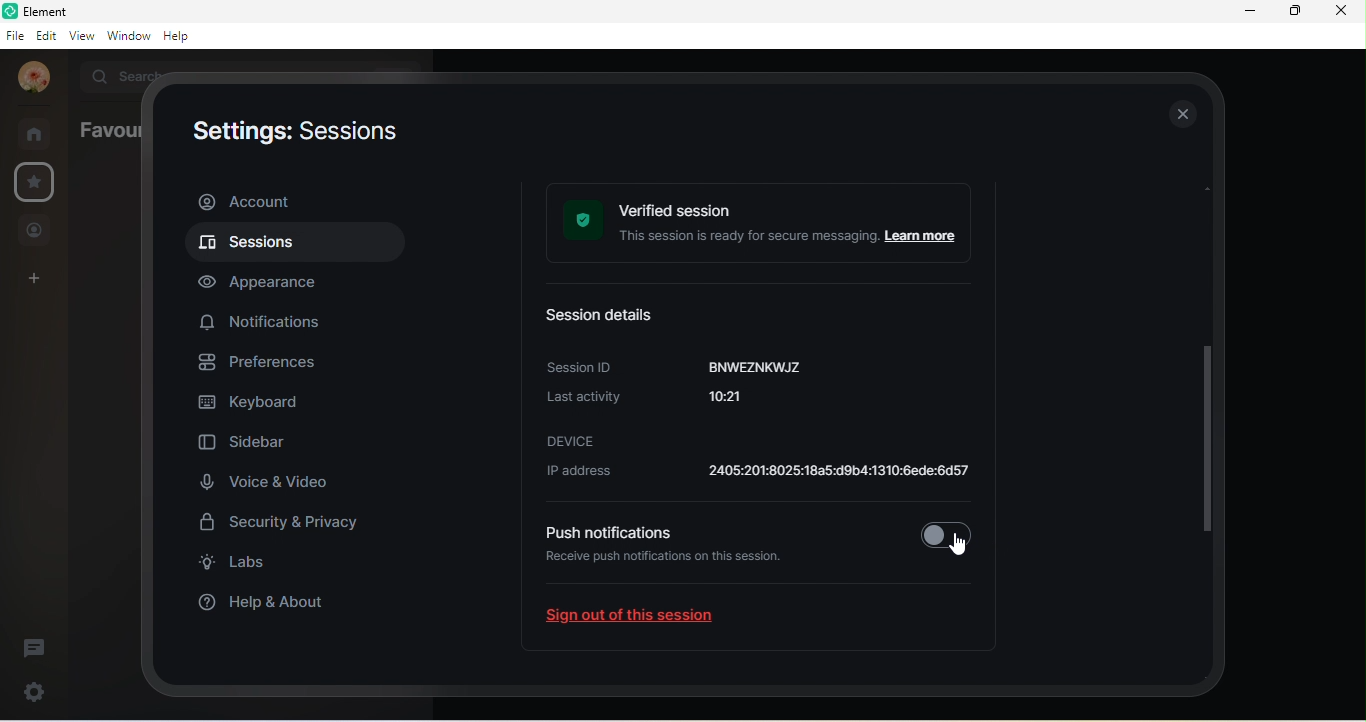  Describe the element at coordinates (33, 77) in the screenshot. I see `account` at that location.